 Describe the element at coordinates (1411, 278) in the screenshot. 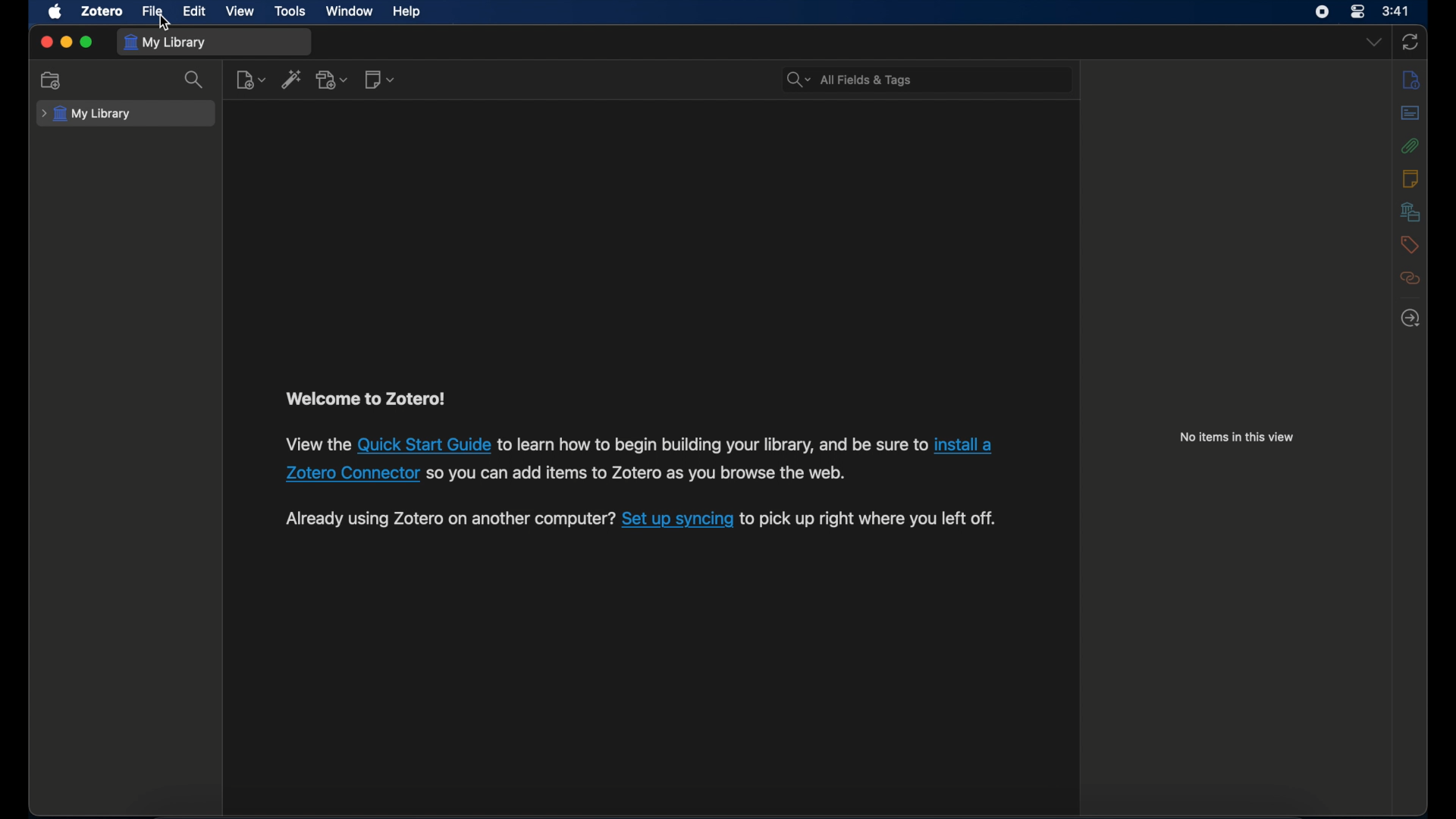

I see `related` at that location.